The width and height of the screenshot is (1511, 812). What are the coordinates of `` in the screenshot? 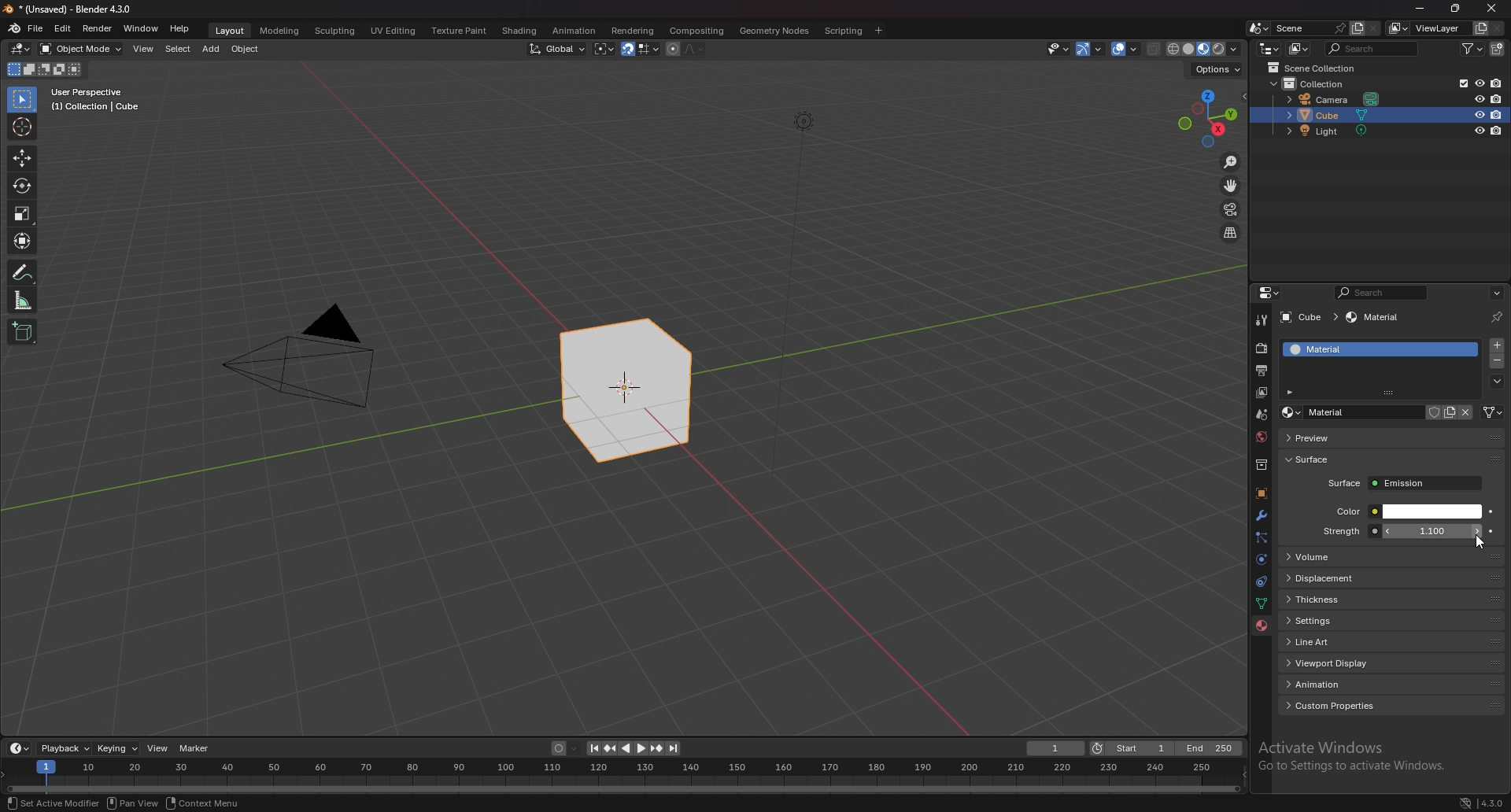 It's located at (206, 804).